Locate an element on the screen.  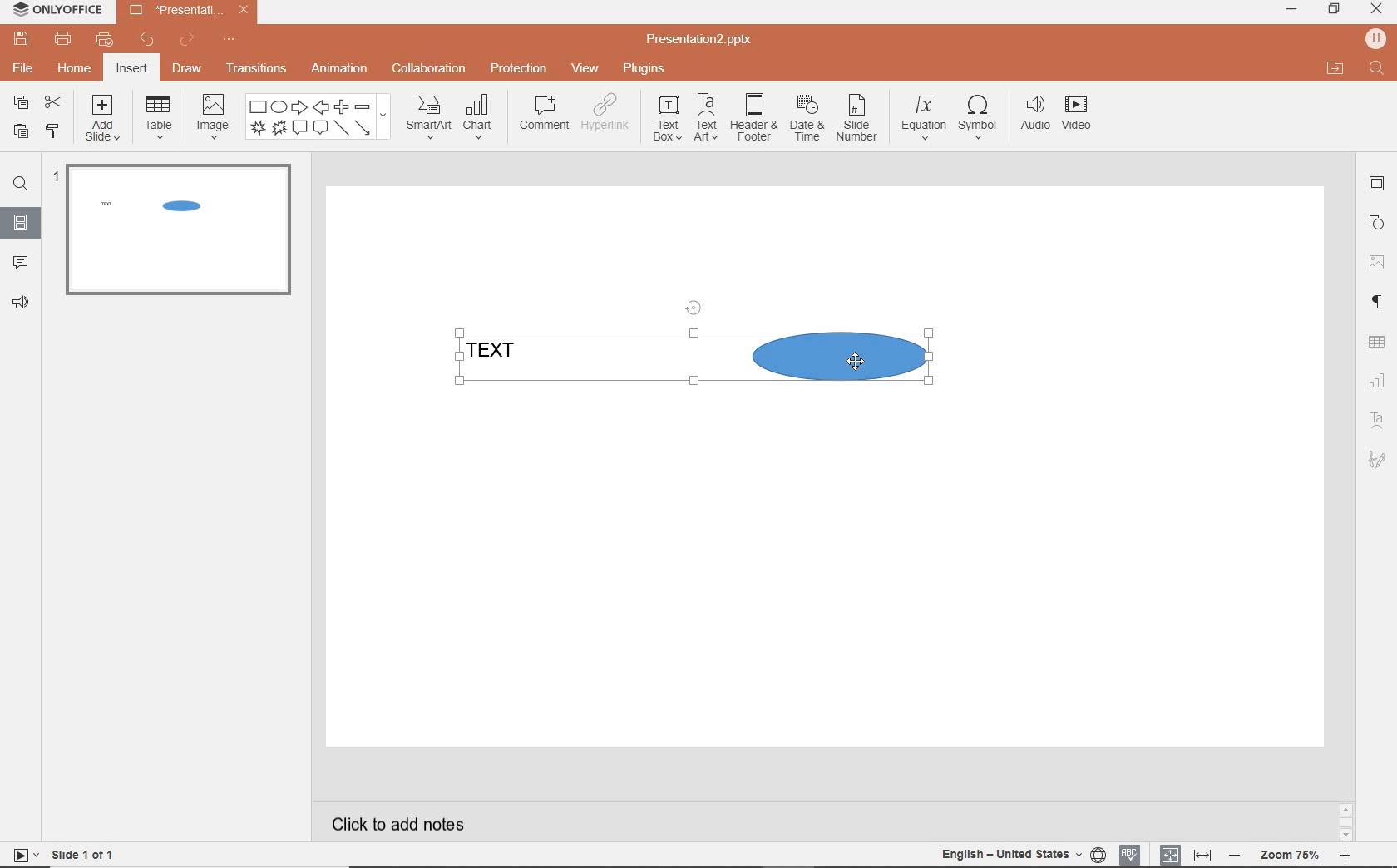
SPELL CHECKING is located at coordinates (1132, 854).